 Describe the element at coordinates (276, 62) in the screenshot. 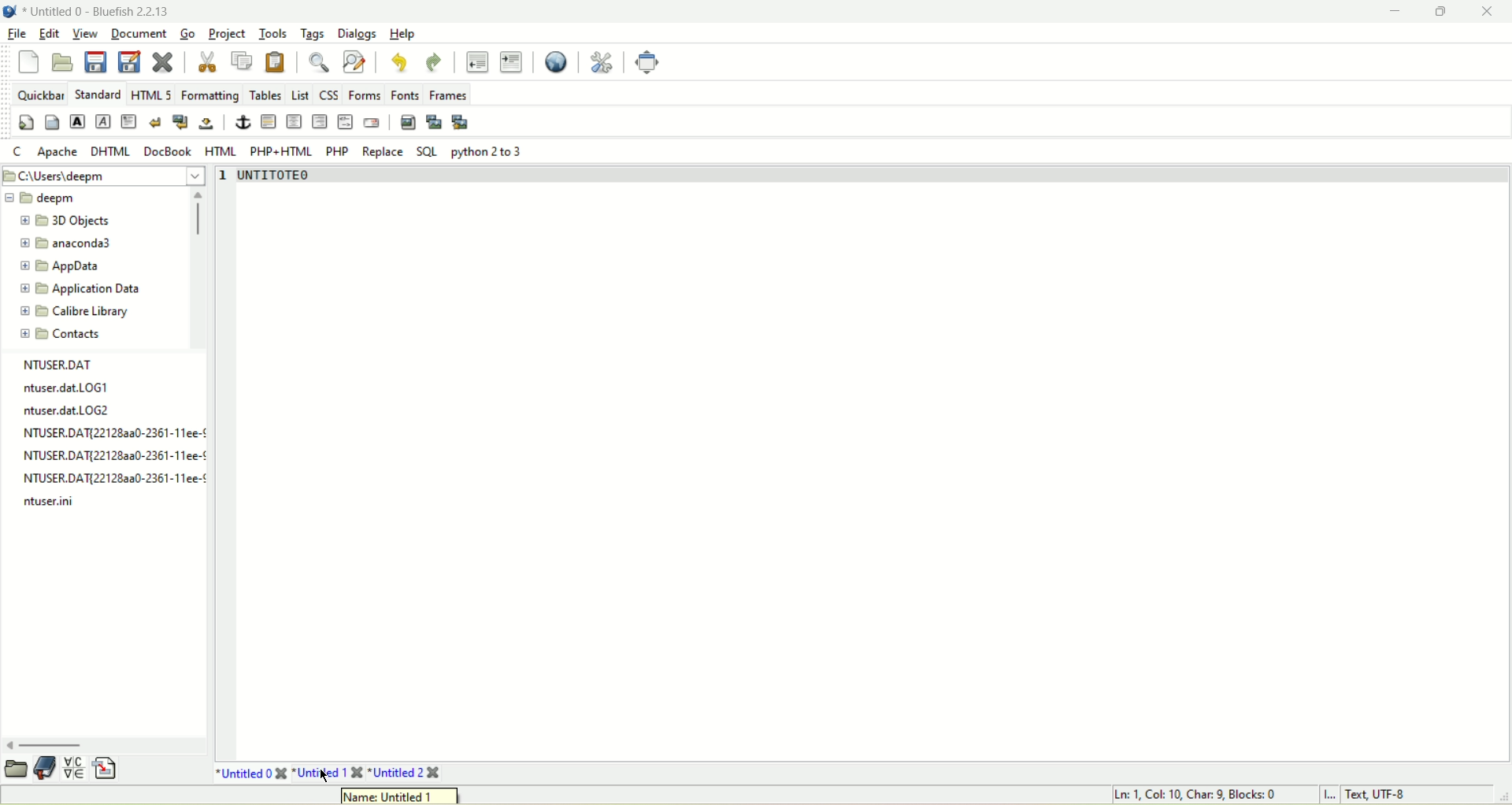

I see `paste` at that location.